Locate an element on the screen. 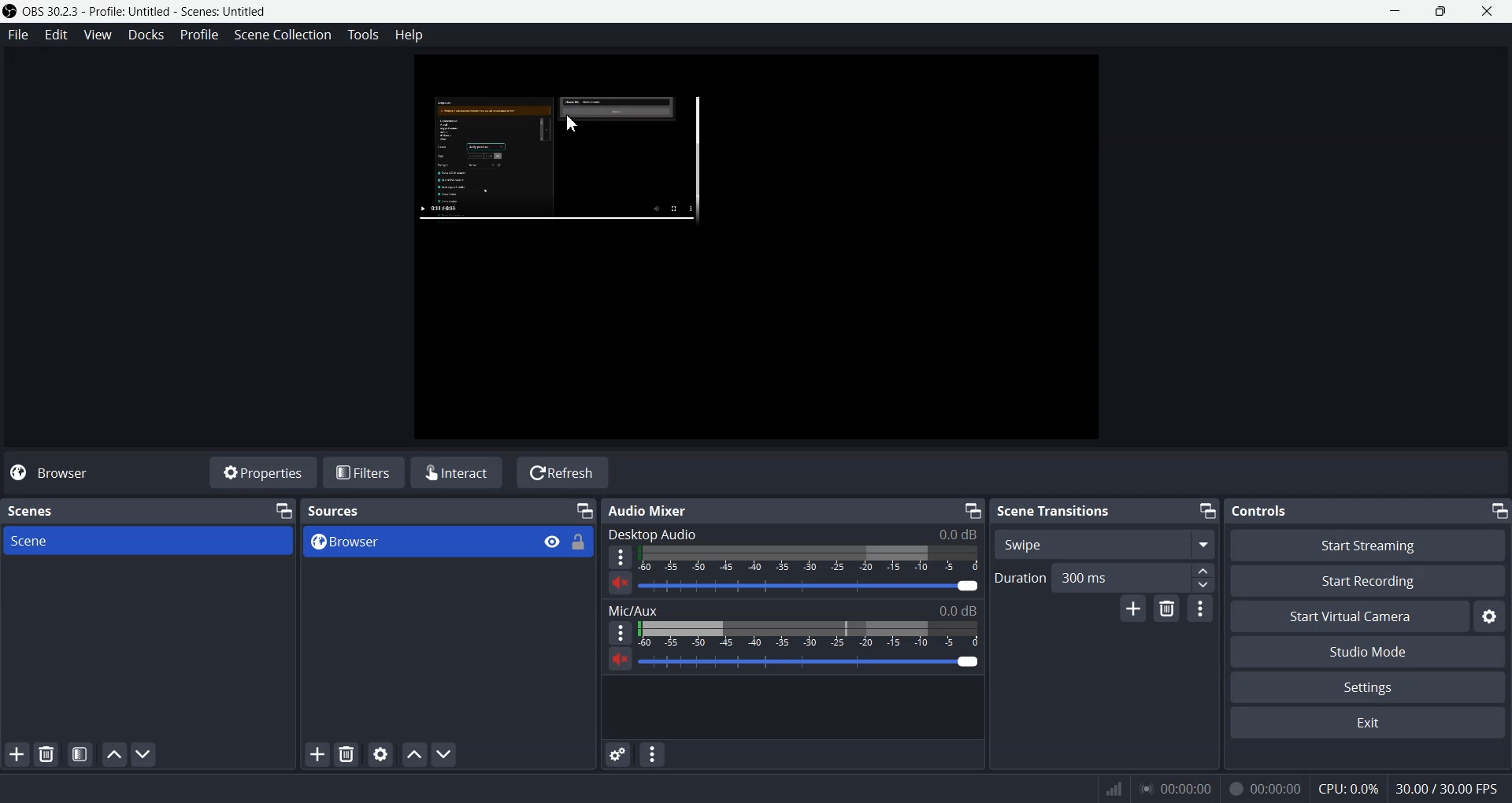 This screenshot has height=803, width=1512. Minimize is located at coordinates (1499, 511).